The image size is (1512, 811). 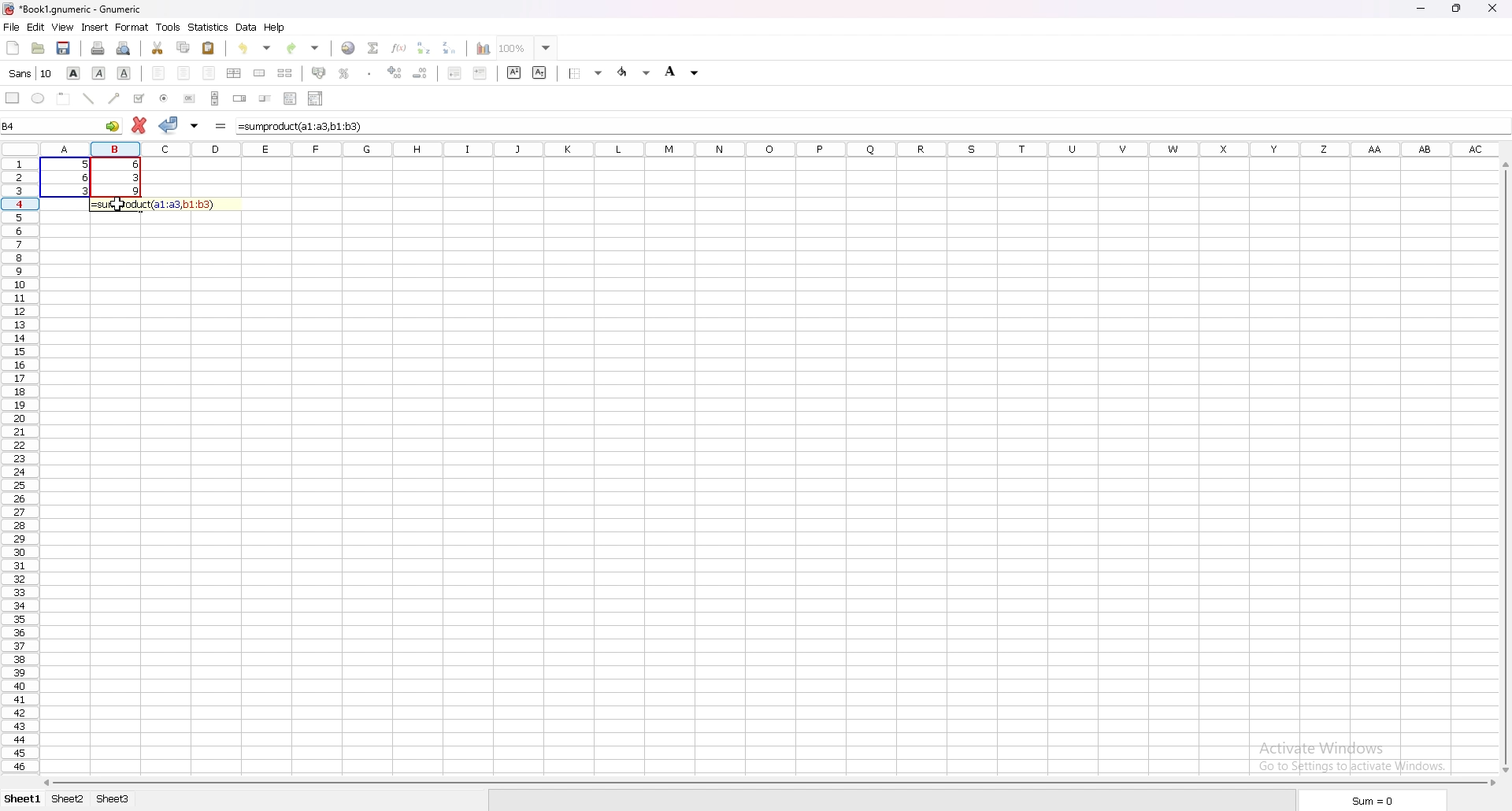 I want to click on superscript, so click(x=515, y=72).